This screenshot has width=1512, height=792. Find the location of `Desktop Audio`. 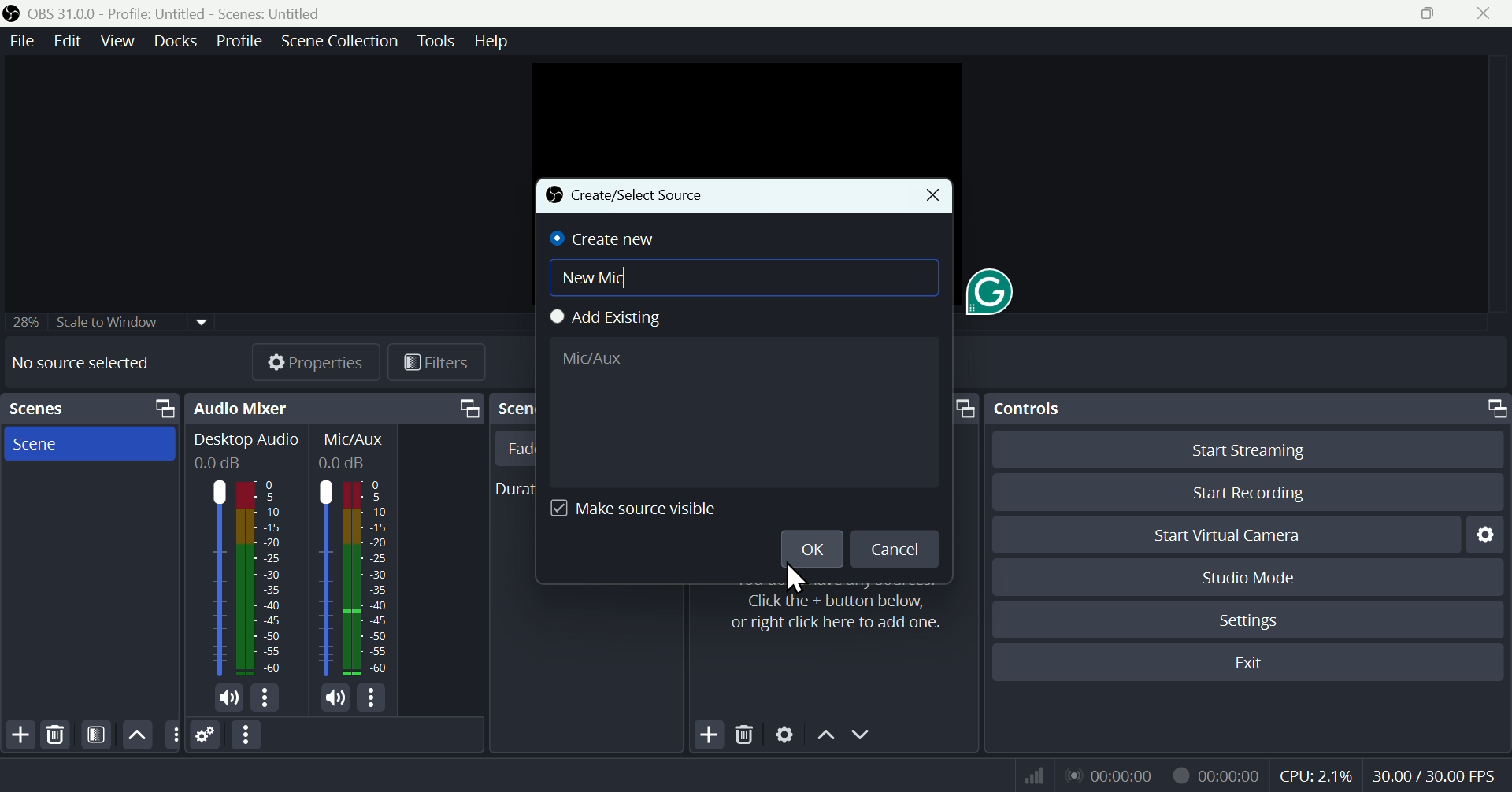

Desktop Audio is located at coordinates (215, 579).